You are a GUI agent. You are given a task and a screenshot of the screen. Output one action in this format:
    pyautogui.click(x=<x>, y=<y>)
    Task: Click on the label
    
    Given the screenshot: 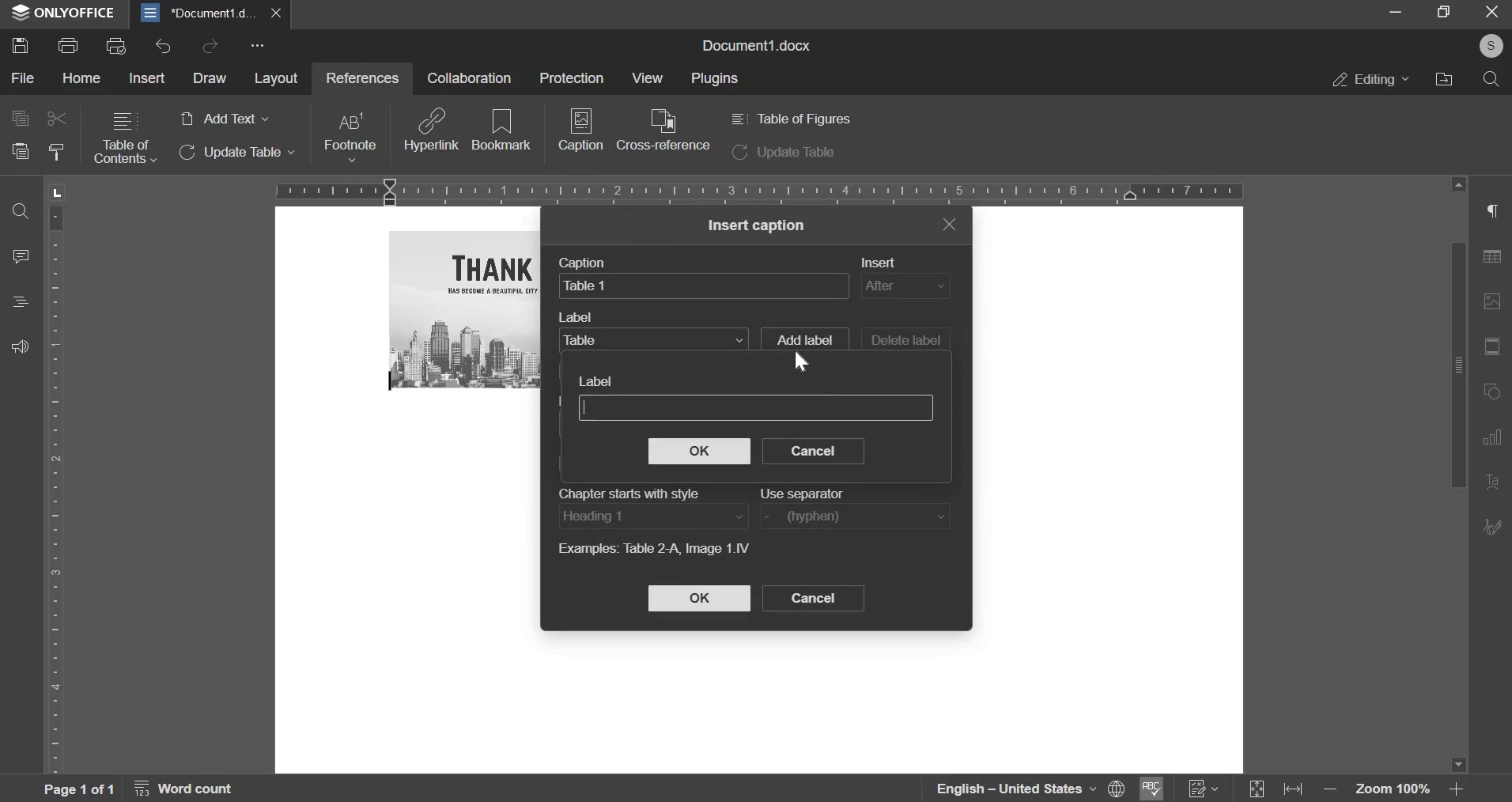 What is the action you would take?
    pyautogui.click(x=756, y=409)
    